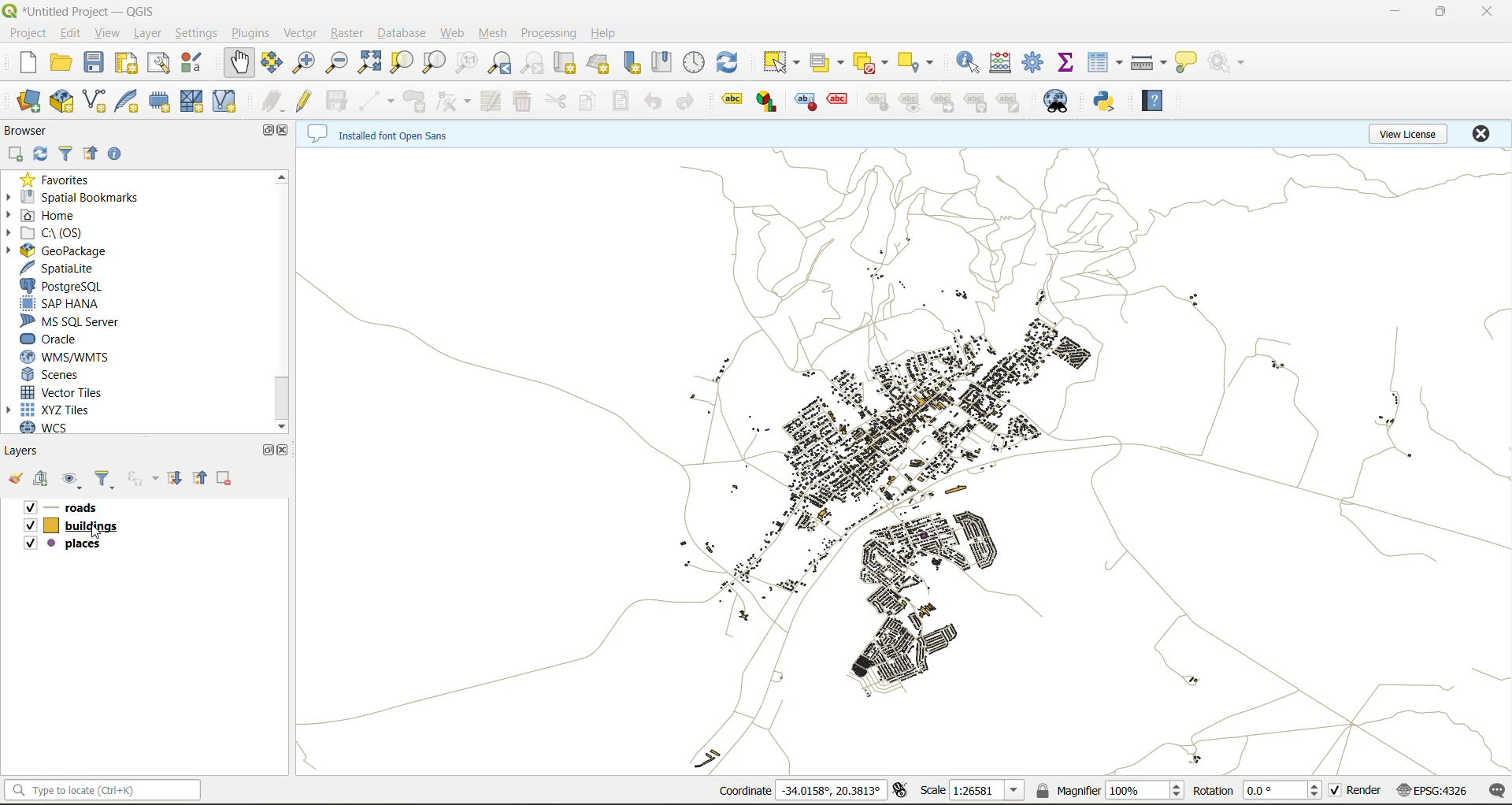  I want to click on new geopackage, so click(64, 102).